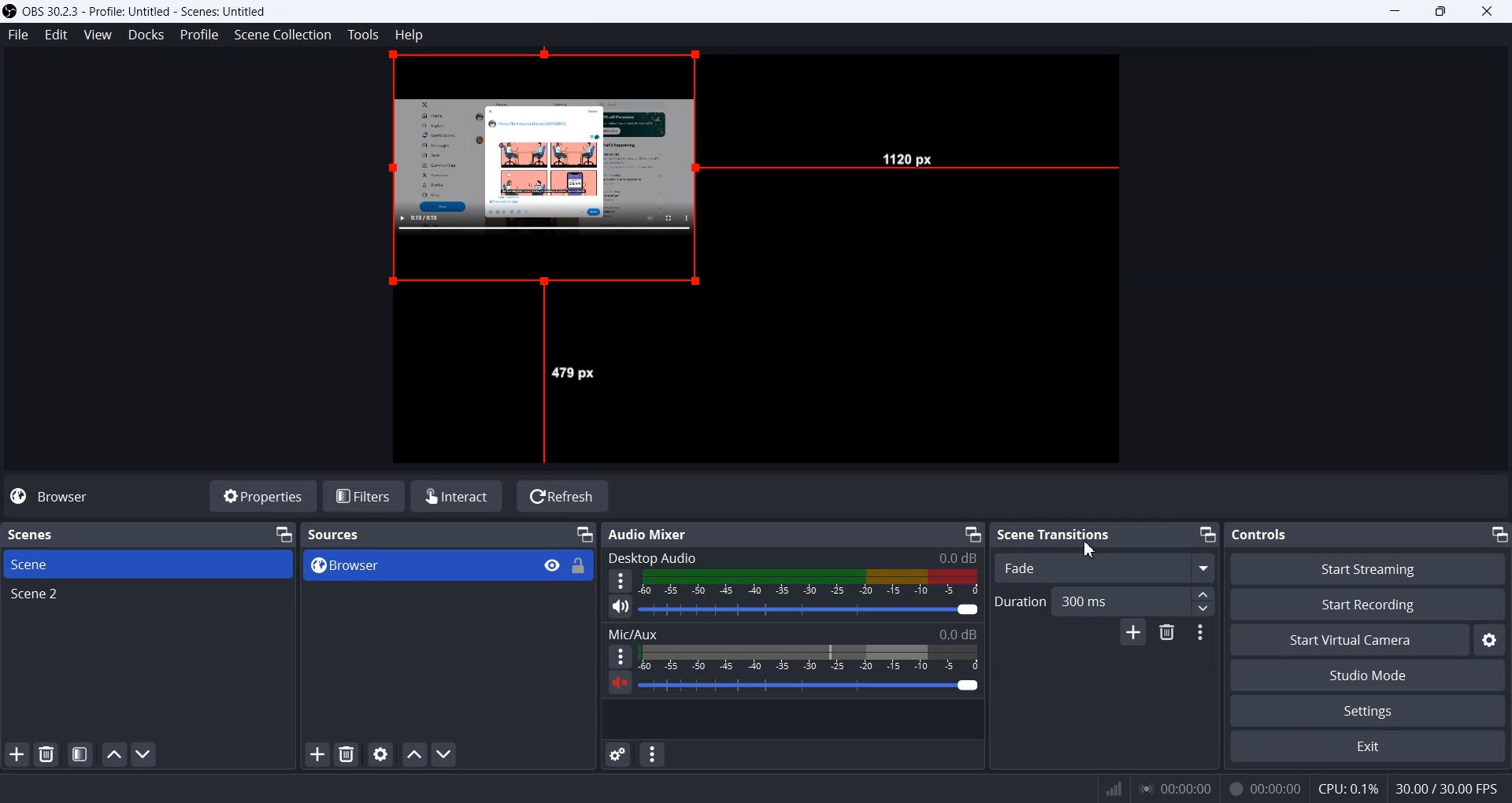 The image size is (1512, 803). I want to click on Remove selected sources, so click(346, 754).